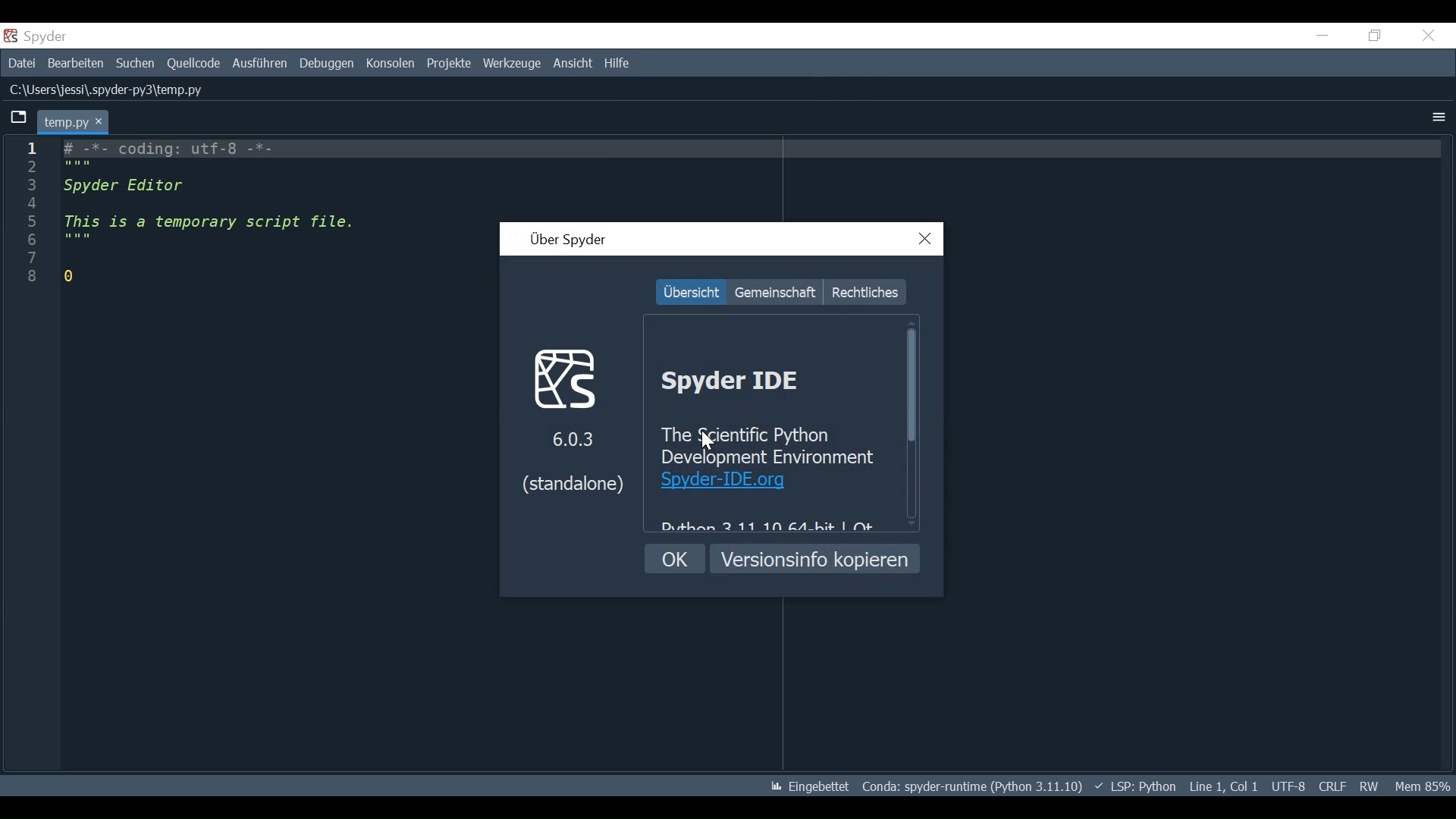  Describe the element at coordinates (775, 291) in the screenshot. I see `Community` at that location.